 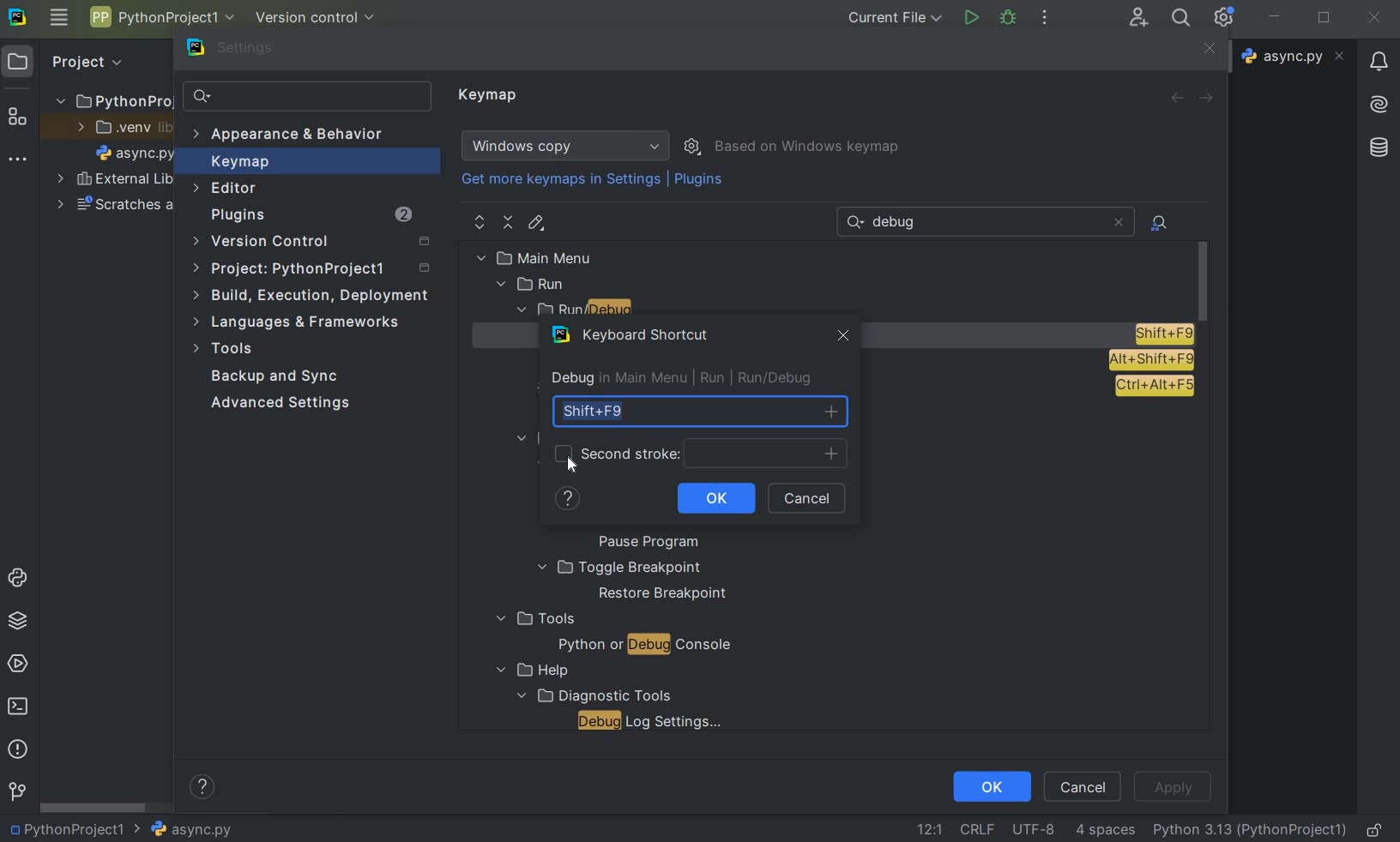 I want to click on run, so click(x=533, y=285).